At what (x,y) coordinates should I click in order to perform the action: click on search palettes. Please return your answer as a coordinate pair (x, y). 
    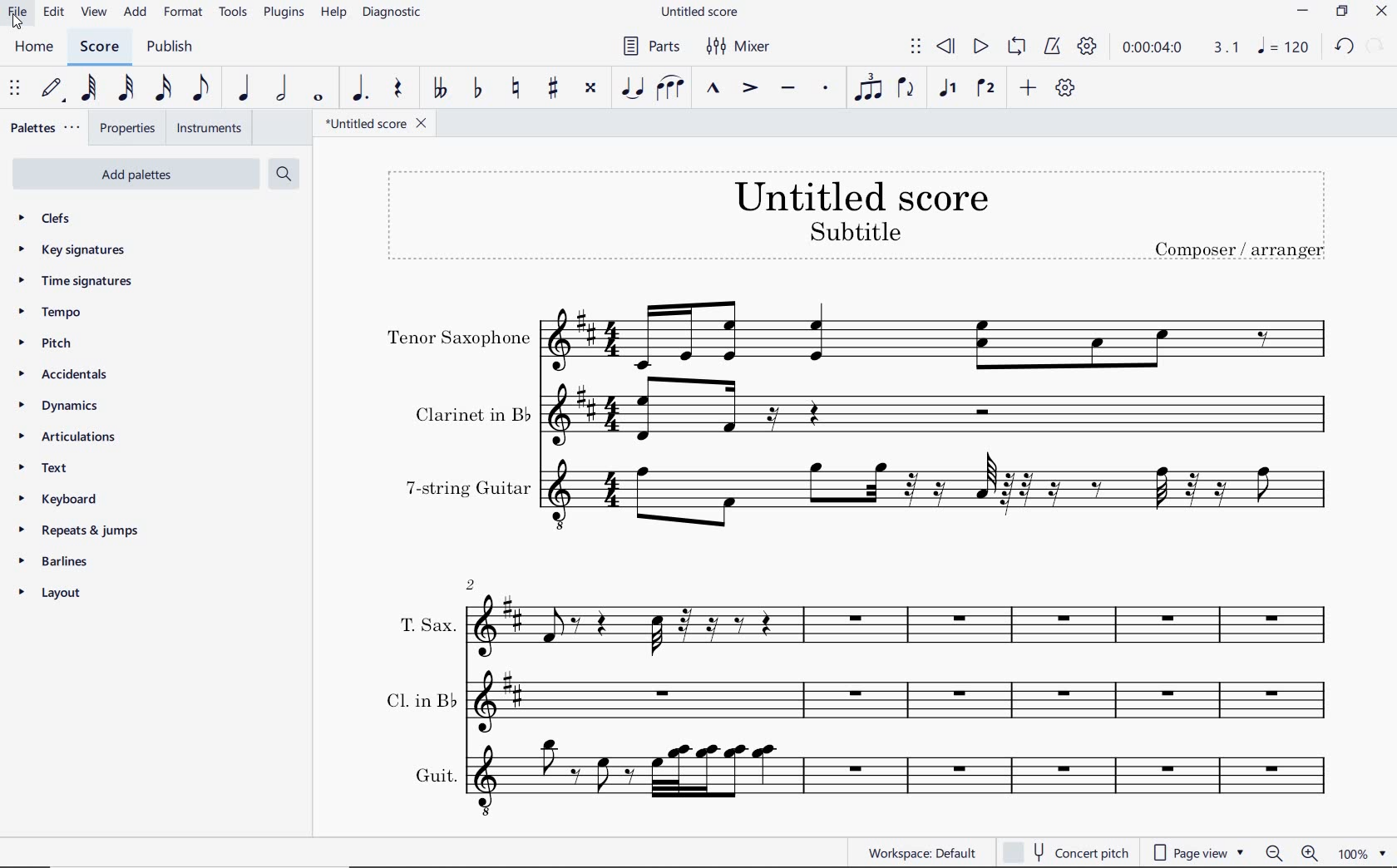
    Looking at the image, I should click on (283, 173).